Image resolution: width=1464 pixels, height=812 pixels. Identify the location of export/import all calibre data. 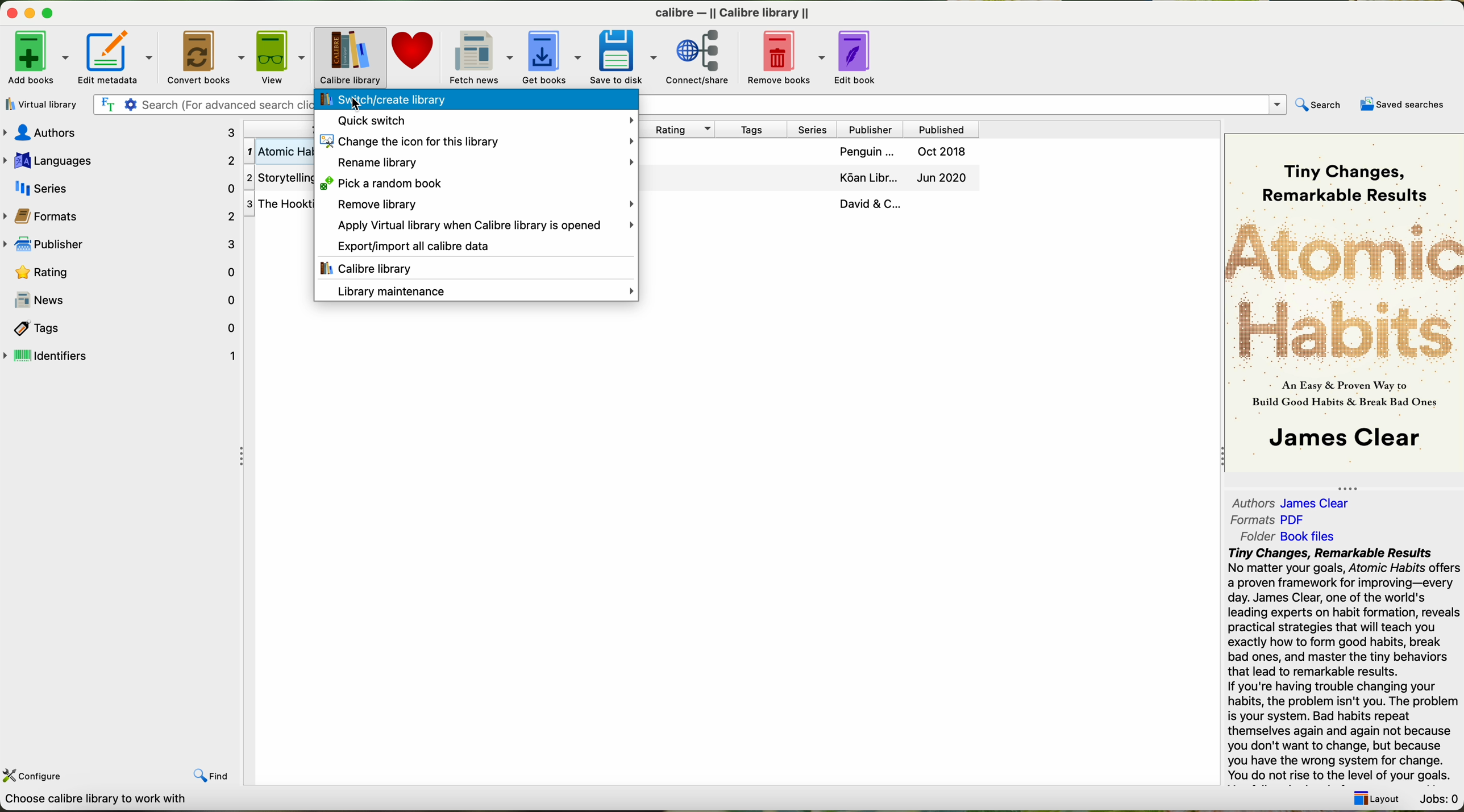
(414, 246).